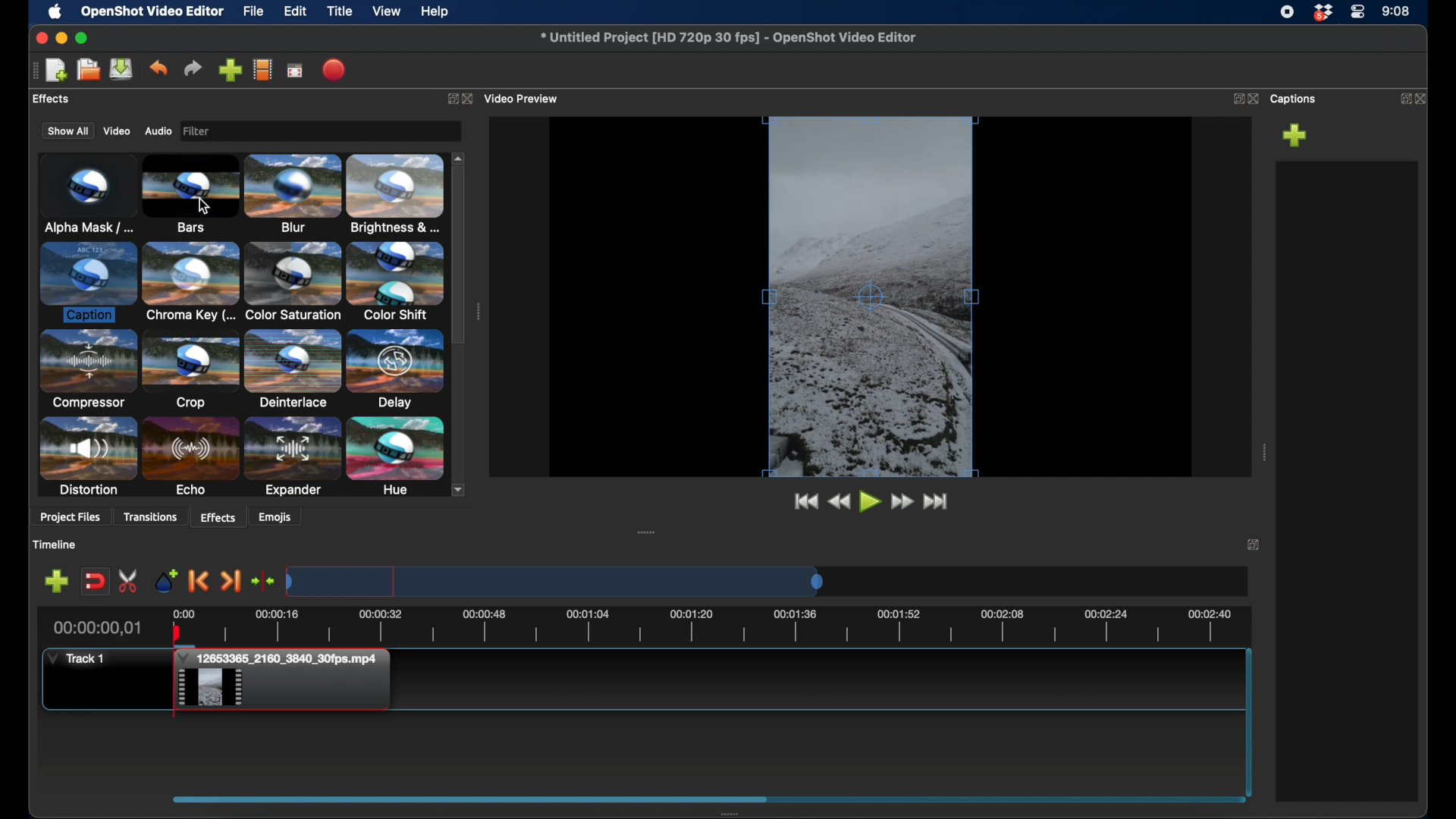  I want to click on disable snapping, so click(94, 582).